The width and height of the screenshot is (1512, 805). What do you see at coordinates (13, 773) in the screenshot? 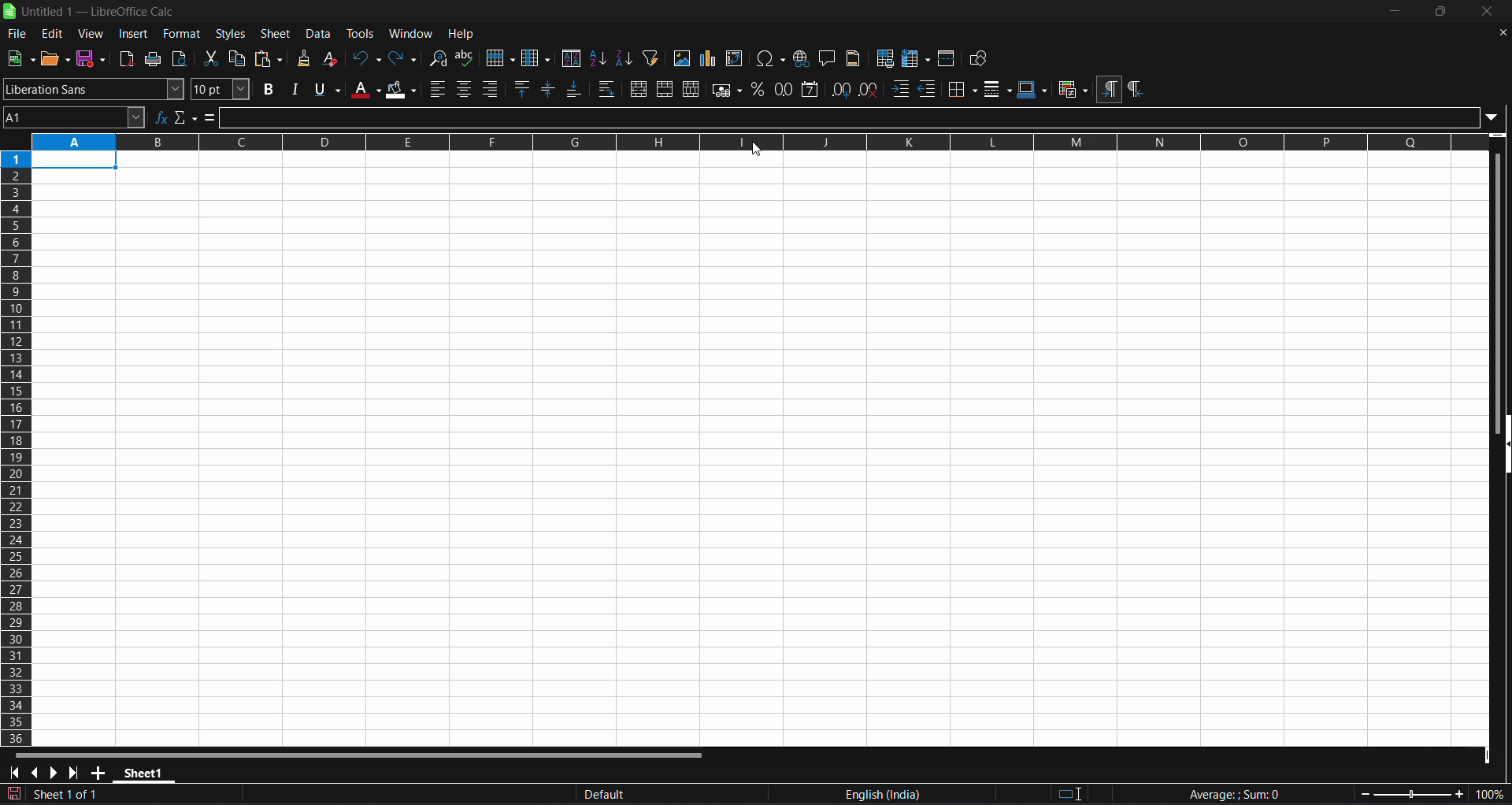
I see `scroll to first sheet` at bounding box center [13, 773].